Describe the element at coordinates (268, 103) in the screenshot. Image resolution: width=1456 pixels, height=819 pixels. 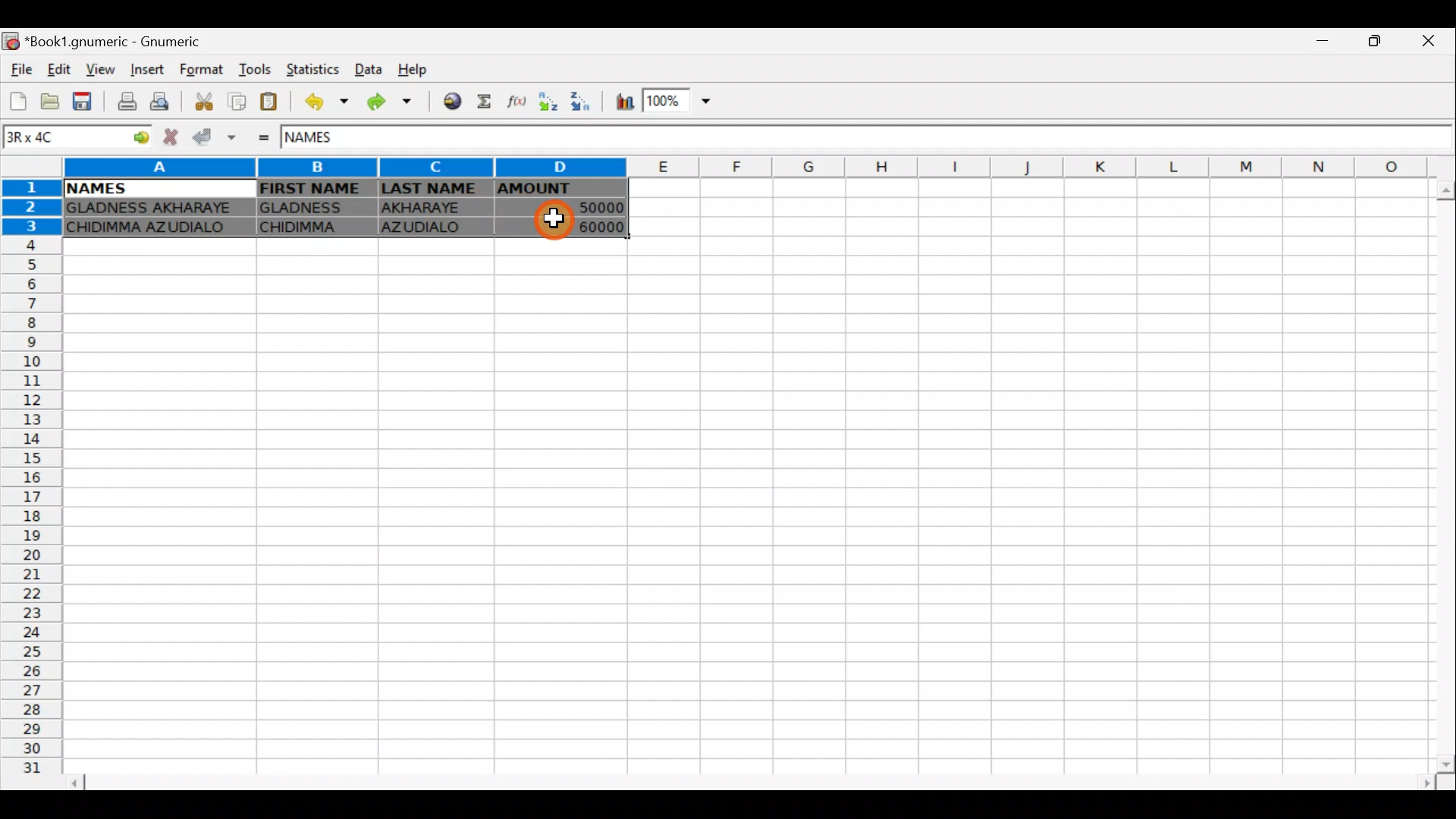
I see `Paste clipboard` at that location.